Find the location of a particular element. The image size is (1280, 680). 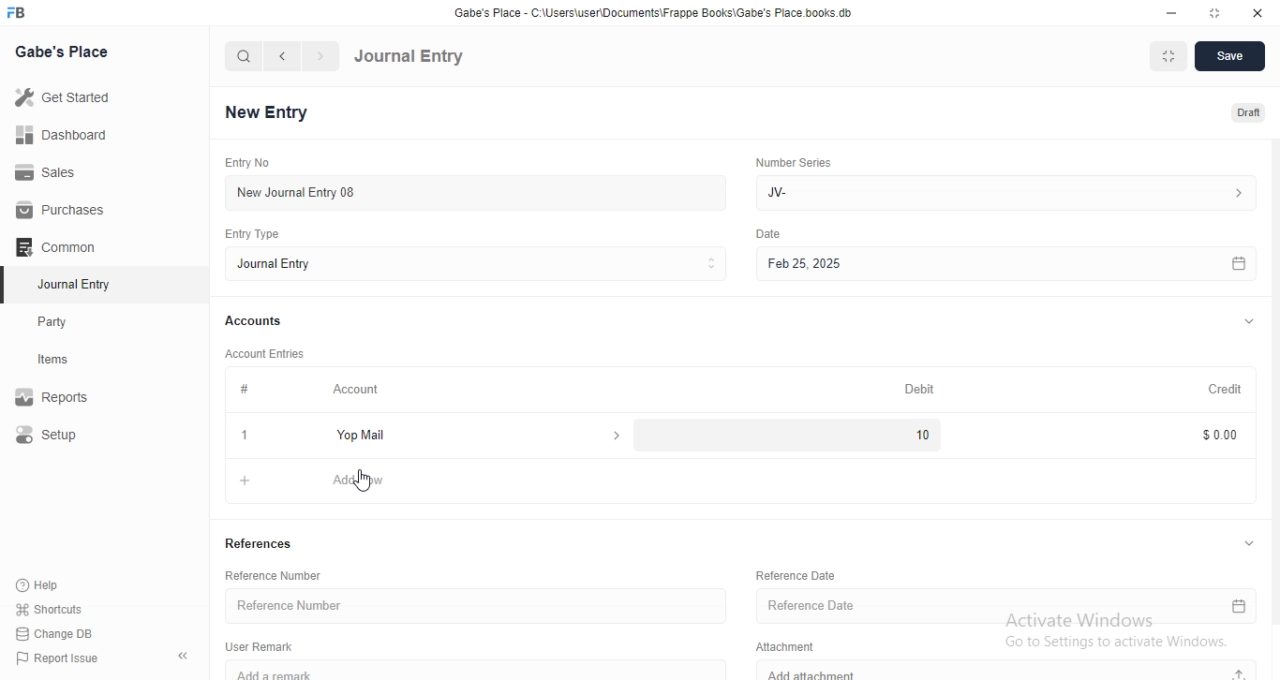

Purchases is located at coordinates (58, 210).